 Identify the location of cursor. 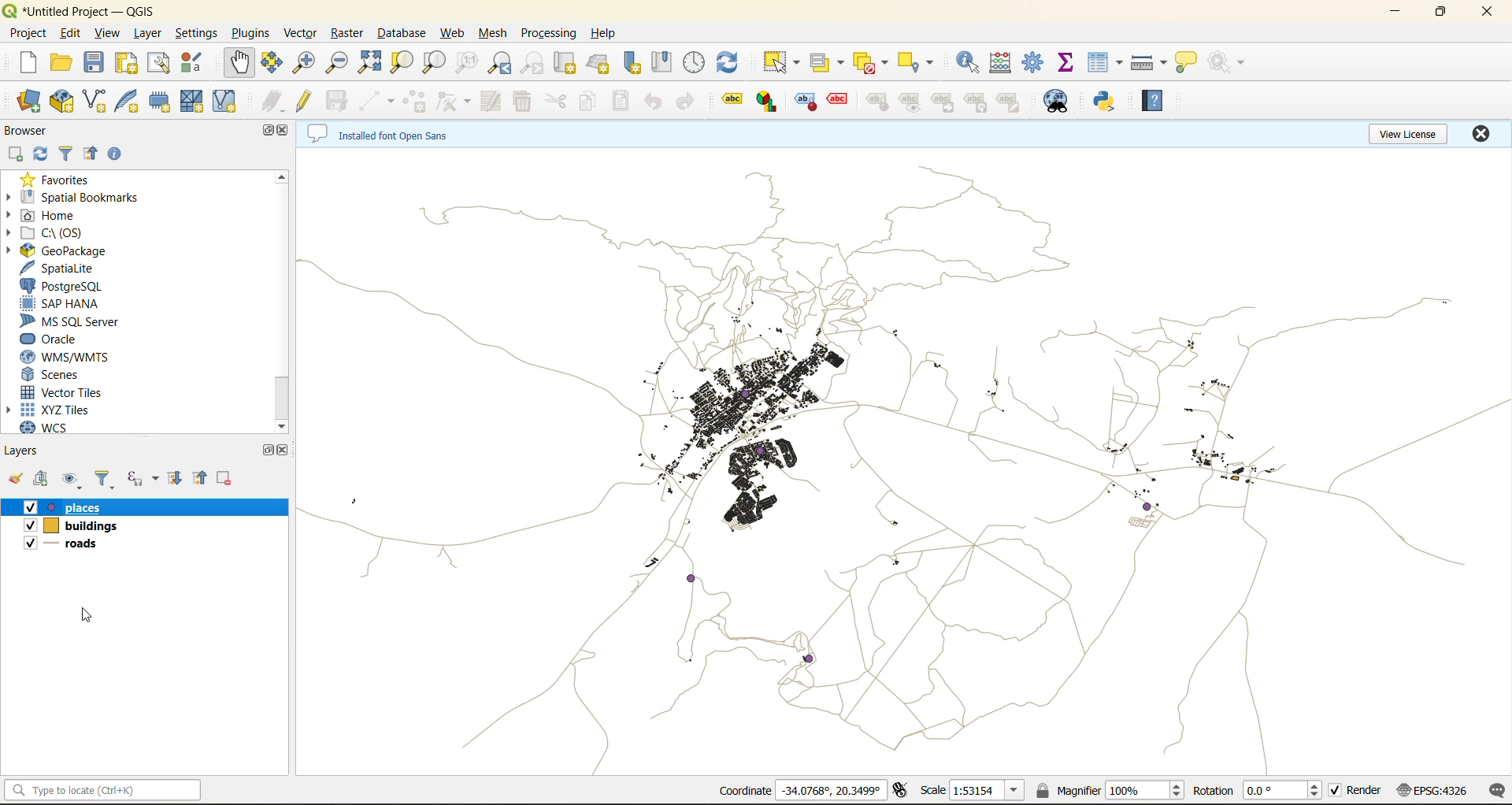
(93, 616).